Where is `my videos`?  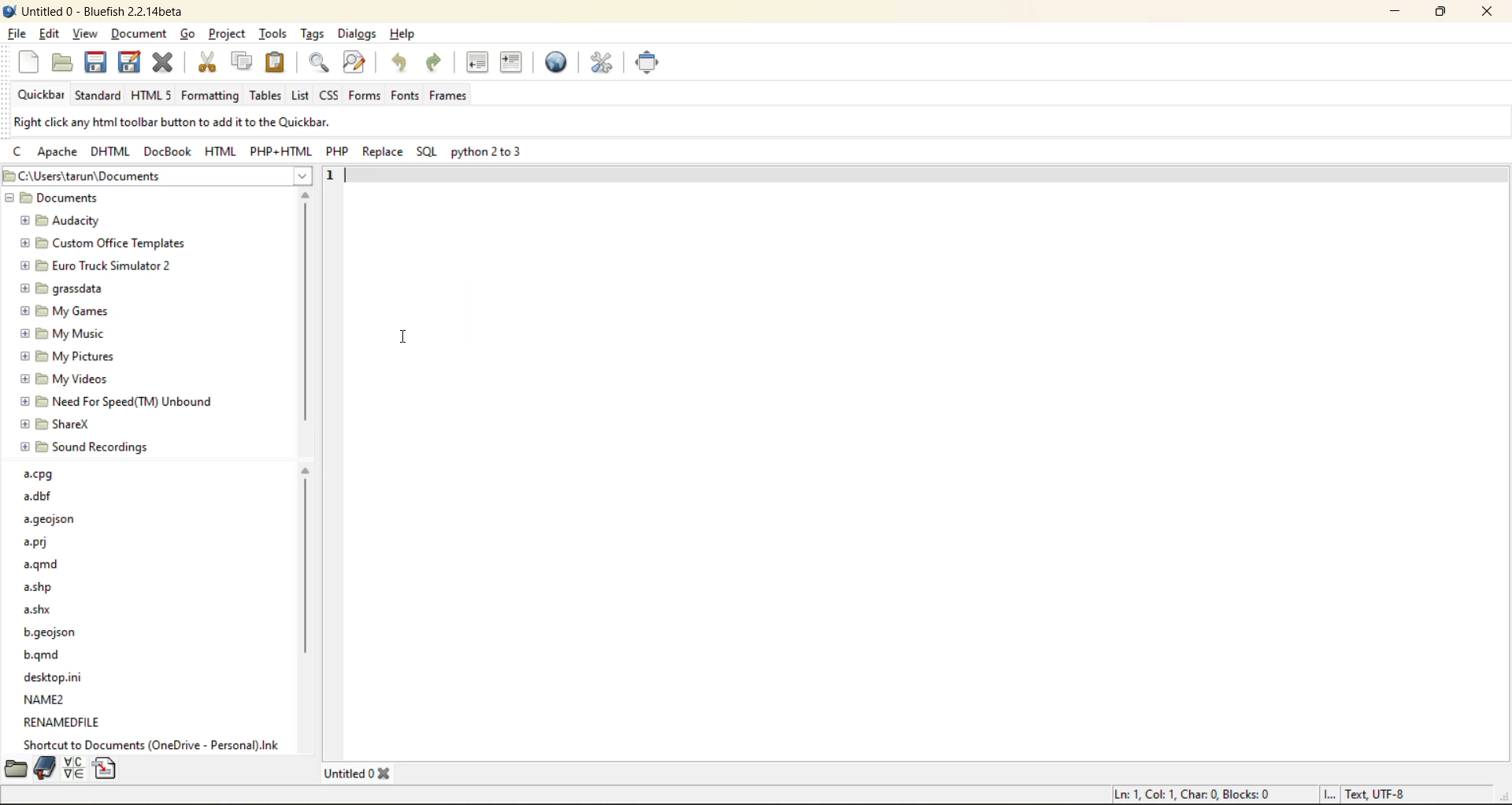 my videos is located at coordinates (66, 380).